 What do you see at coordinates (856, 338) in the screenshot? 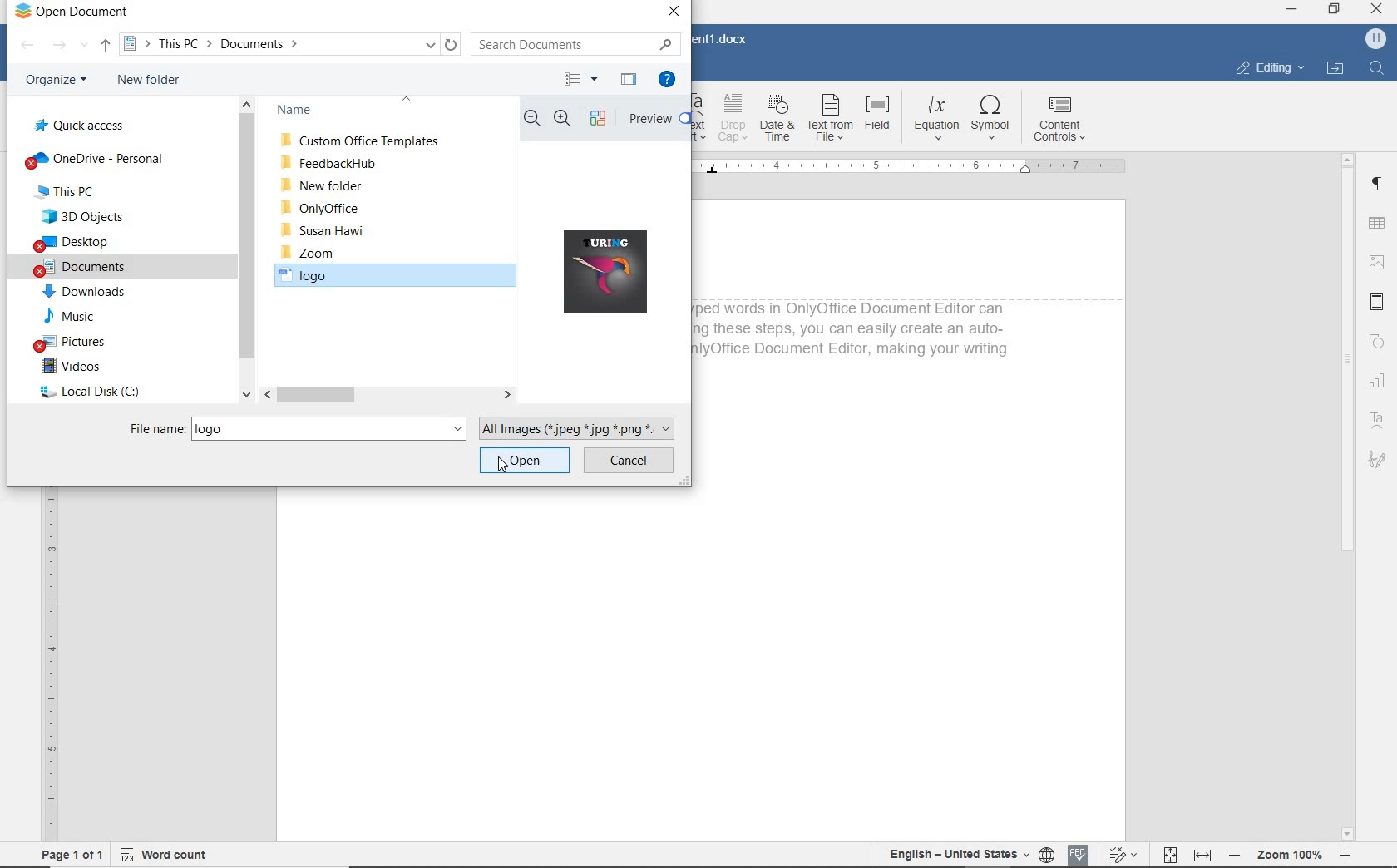
I see `, reating an auto-correct rule for commonly mistyped words in OnlyOffice Document Editor can
help streamline your writing process. By following these steps, you can easily create an auto-

correct rule for commonly mistyped words in OnlyOffice Document Editor, making your writing
process more efficient and error-free |` at bounding box center [856, 338].